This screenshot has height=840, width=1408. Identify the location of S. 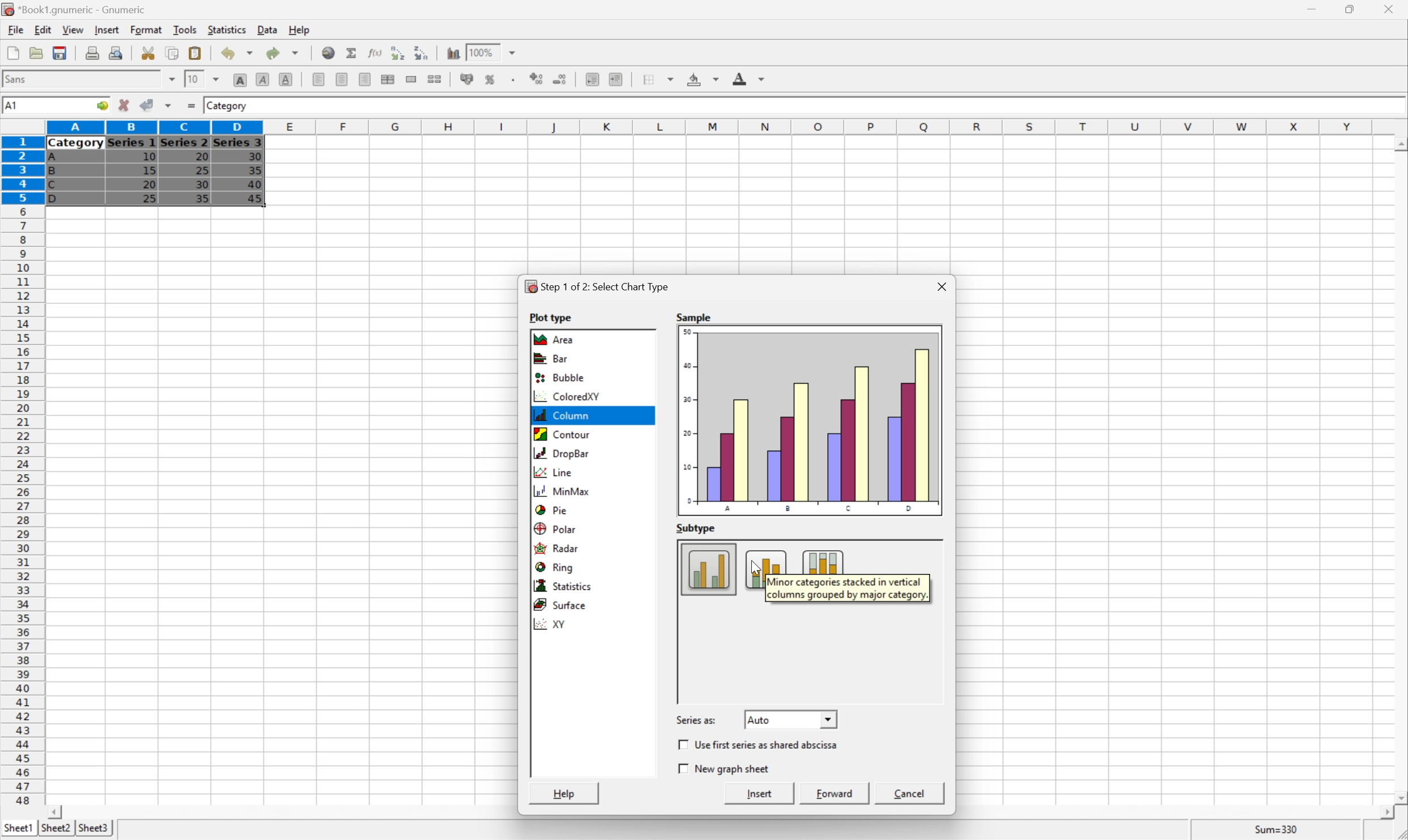
(695, 318).